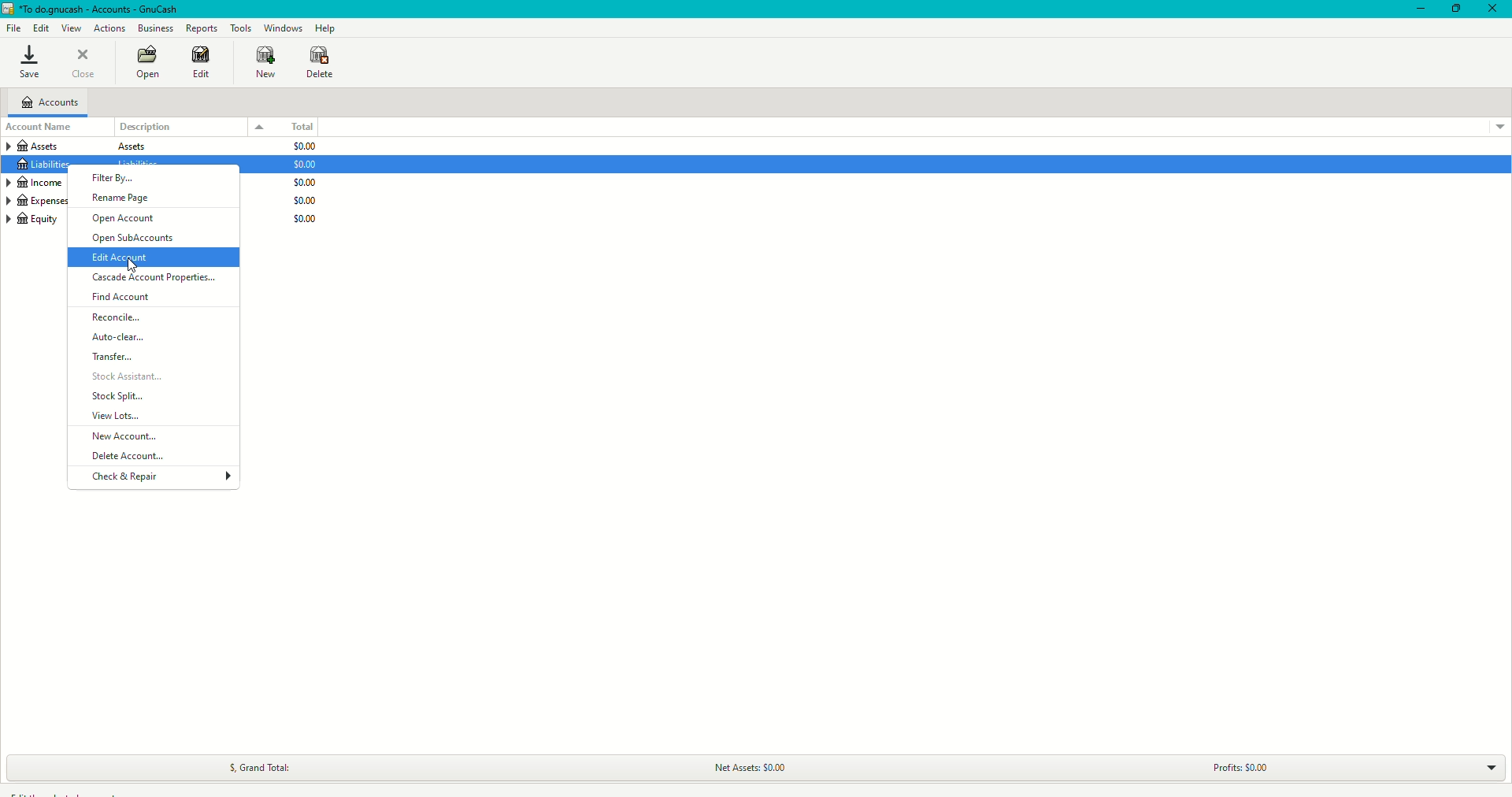 This screenshot has height=797, width=1512. What do you see at coordinates (132, 263) in the screenshot?
I see `cursor` at bounding box center [132, 263].